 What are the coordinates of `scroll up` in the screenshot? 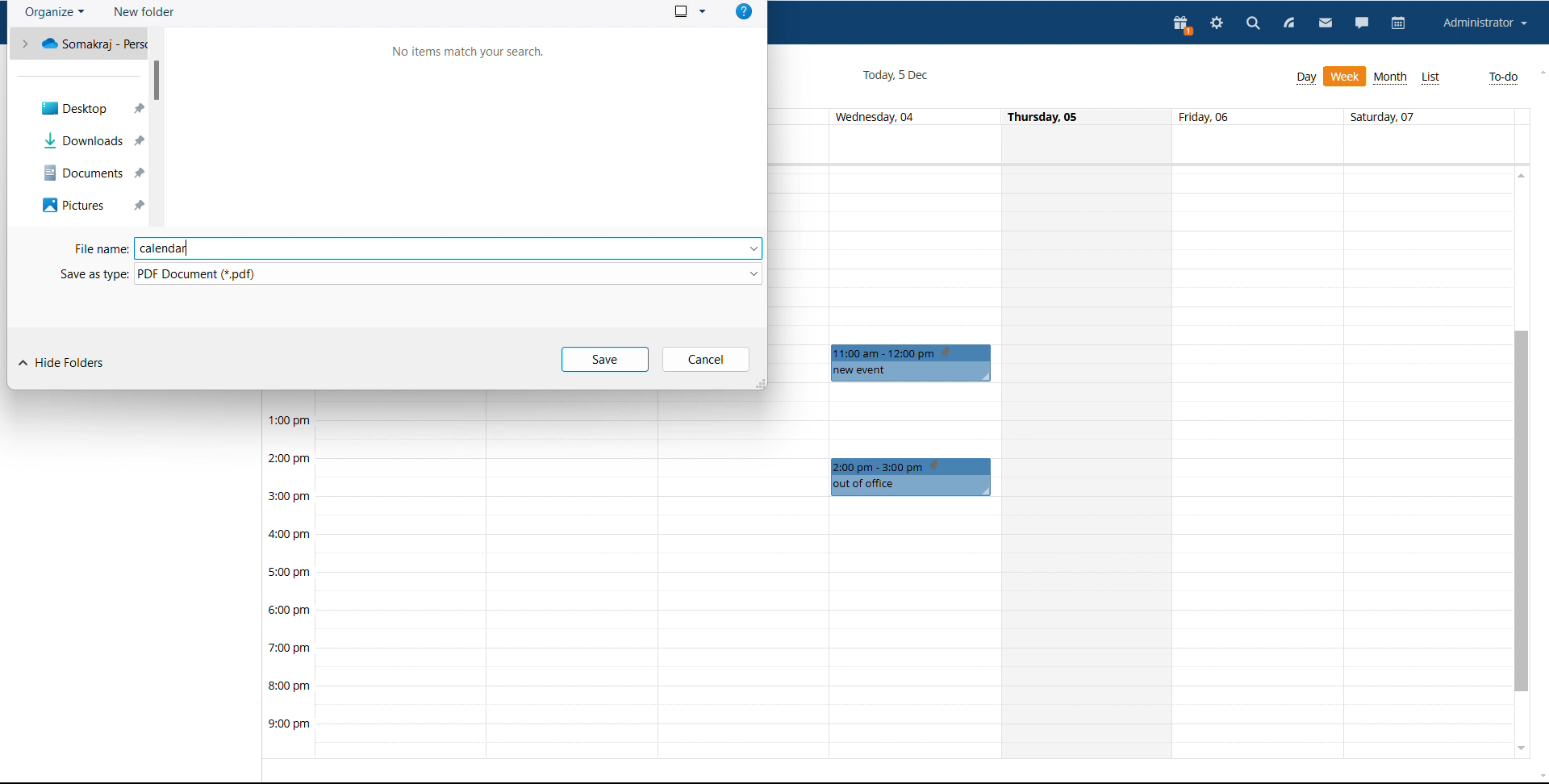 It's located at (1519, 177).